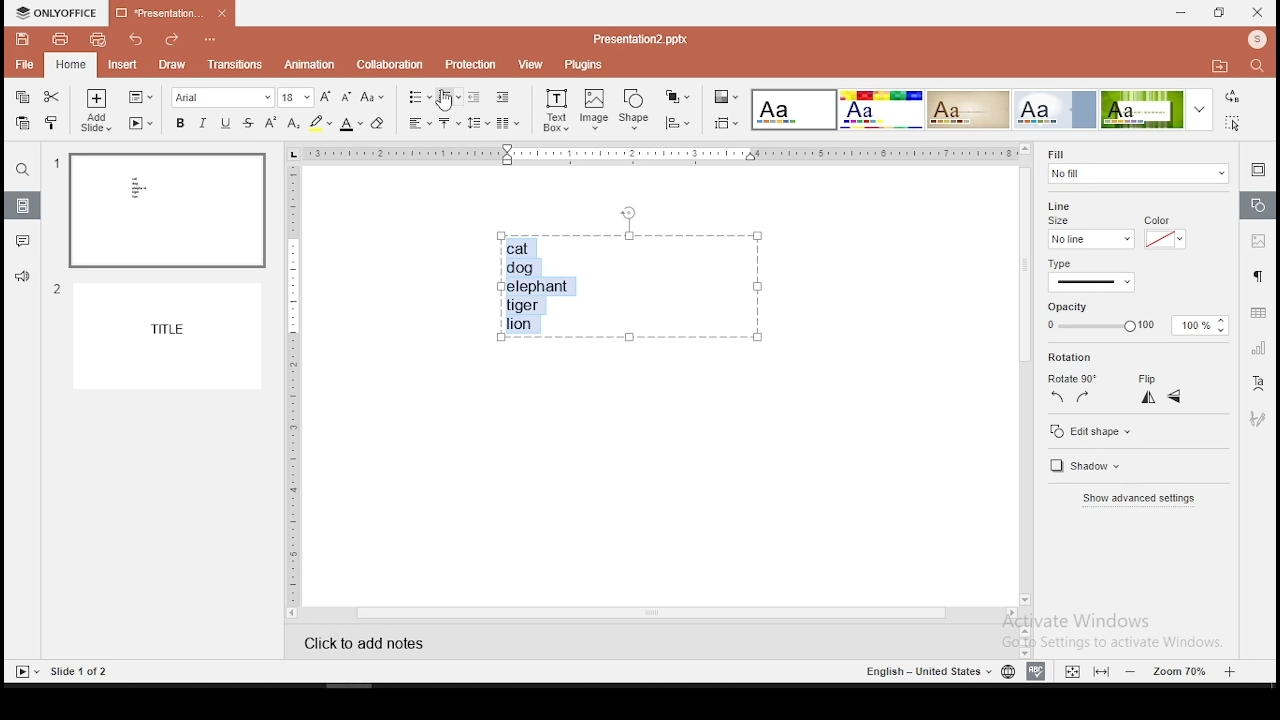 This screenshot has width=1280, height=720. Describe the element at coordinates (22, 123) in the screenshot. I see `paste` at that location.